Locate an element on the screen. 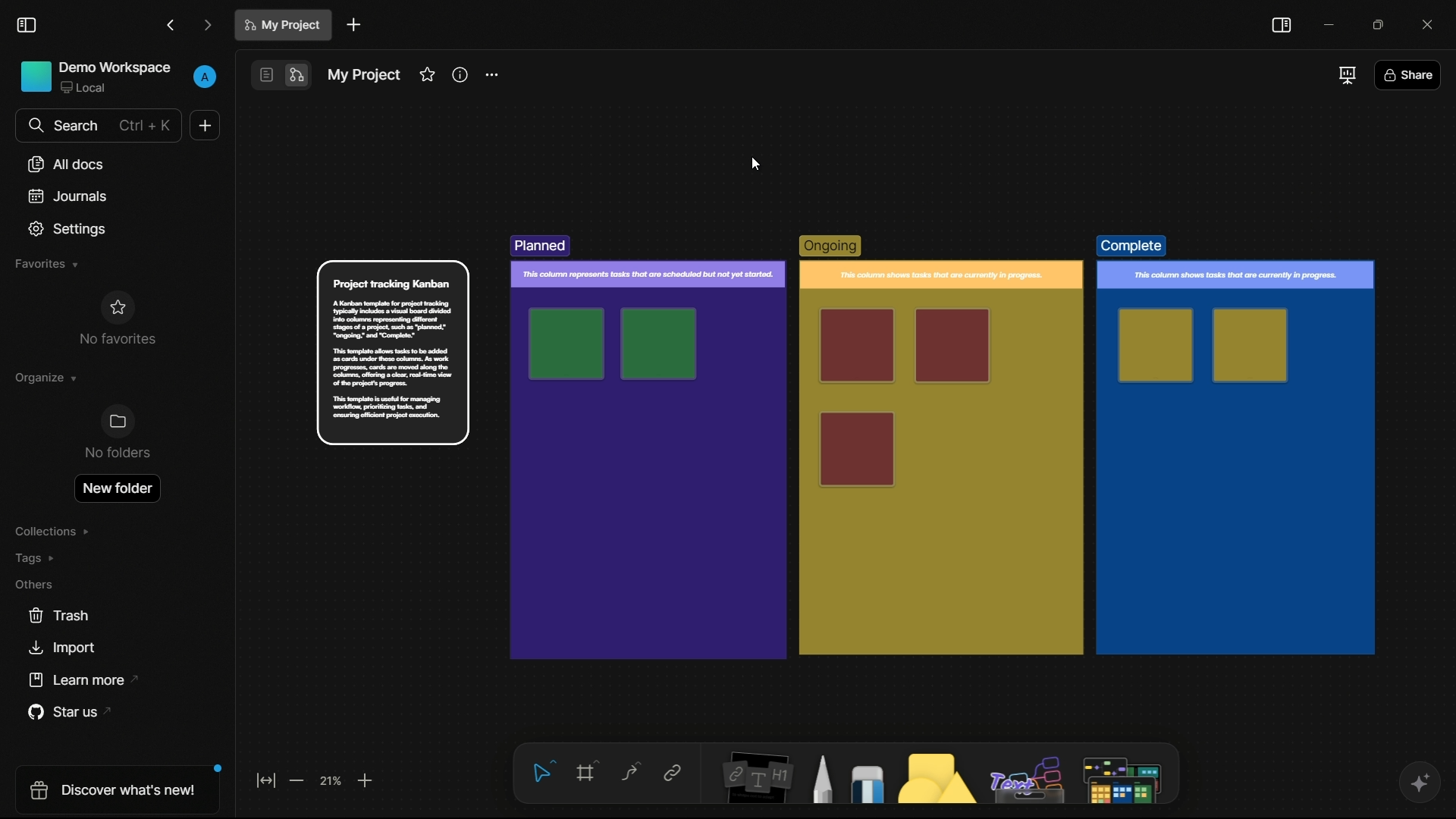 This screenshot has width=1456, height=819. profile icon is located at coordinates (206, 74).